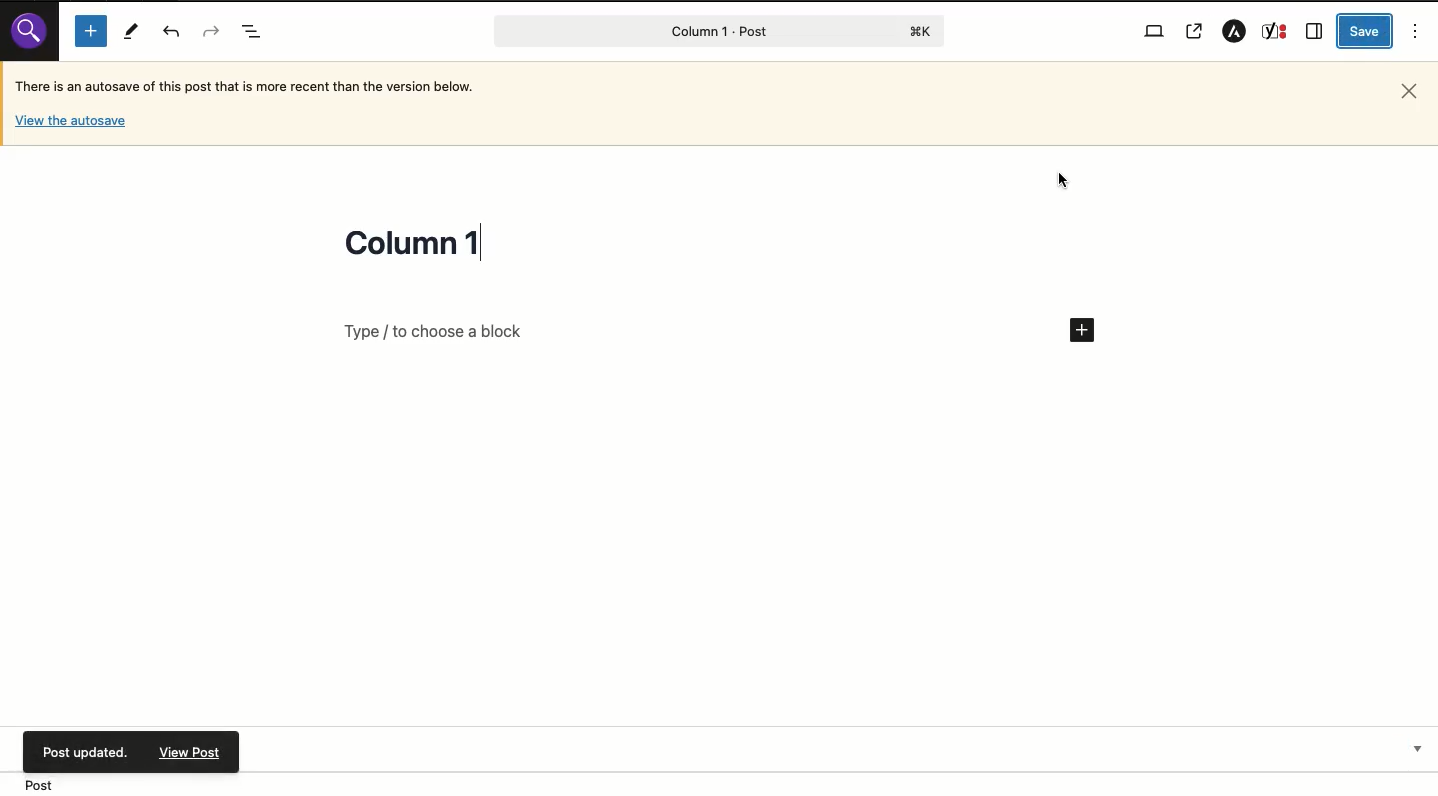 This screenshot has width=1438, height=796. Describe the element at coordinates (720, 31) in the screenshot. I see `Post` at that location.